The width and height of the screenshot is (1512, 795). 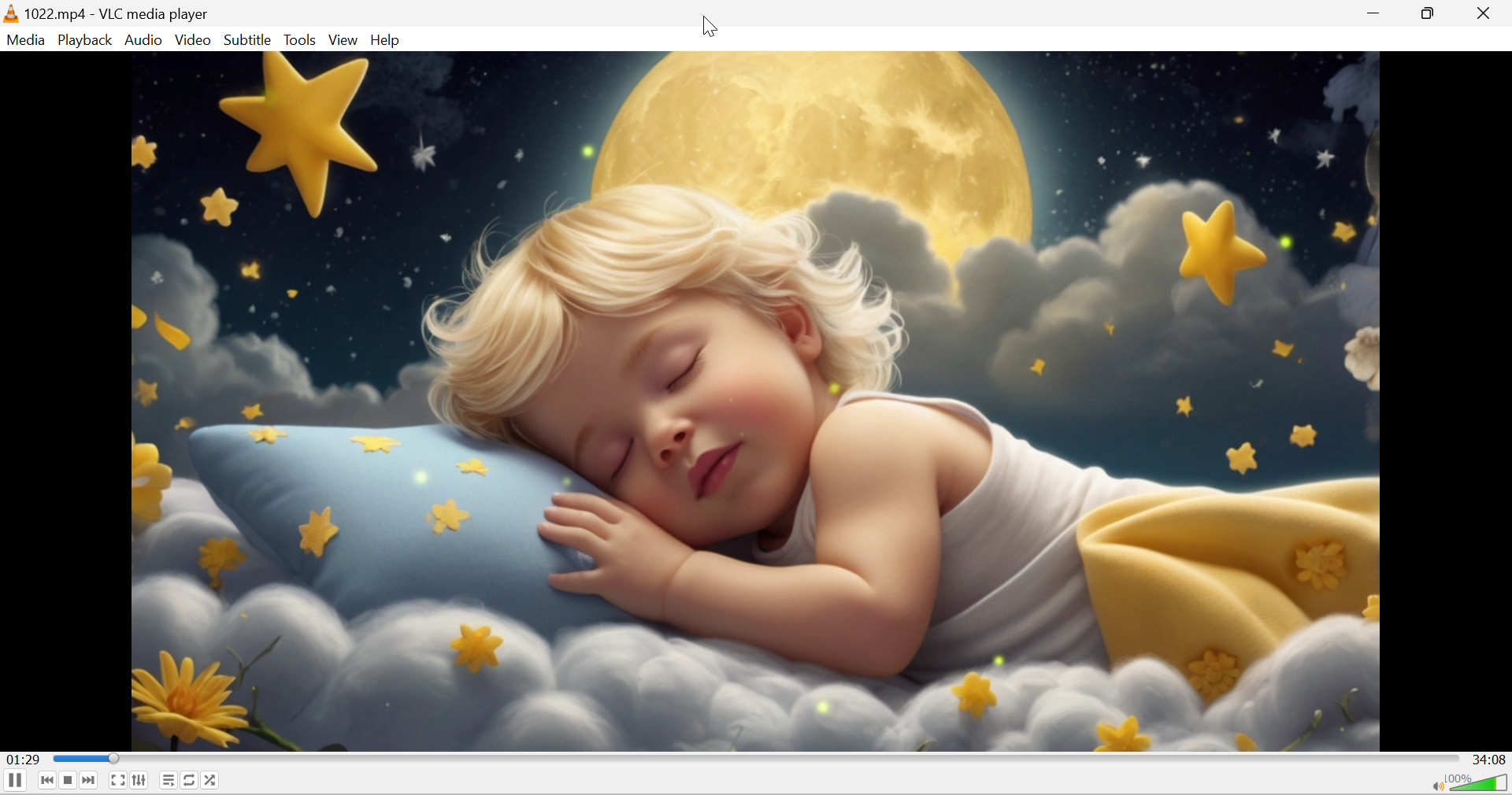 What do you see at coordinates (87, 780) in the screenshot?
I see `Next media in the playlist, skip forward when held` at bounding box center [87, 780].